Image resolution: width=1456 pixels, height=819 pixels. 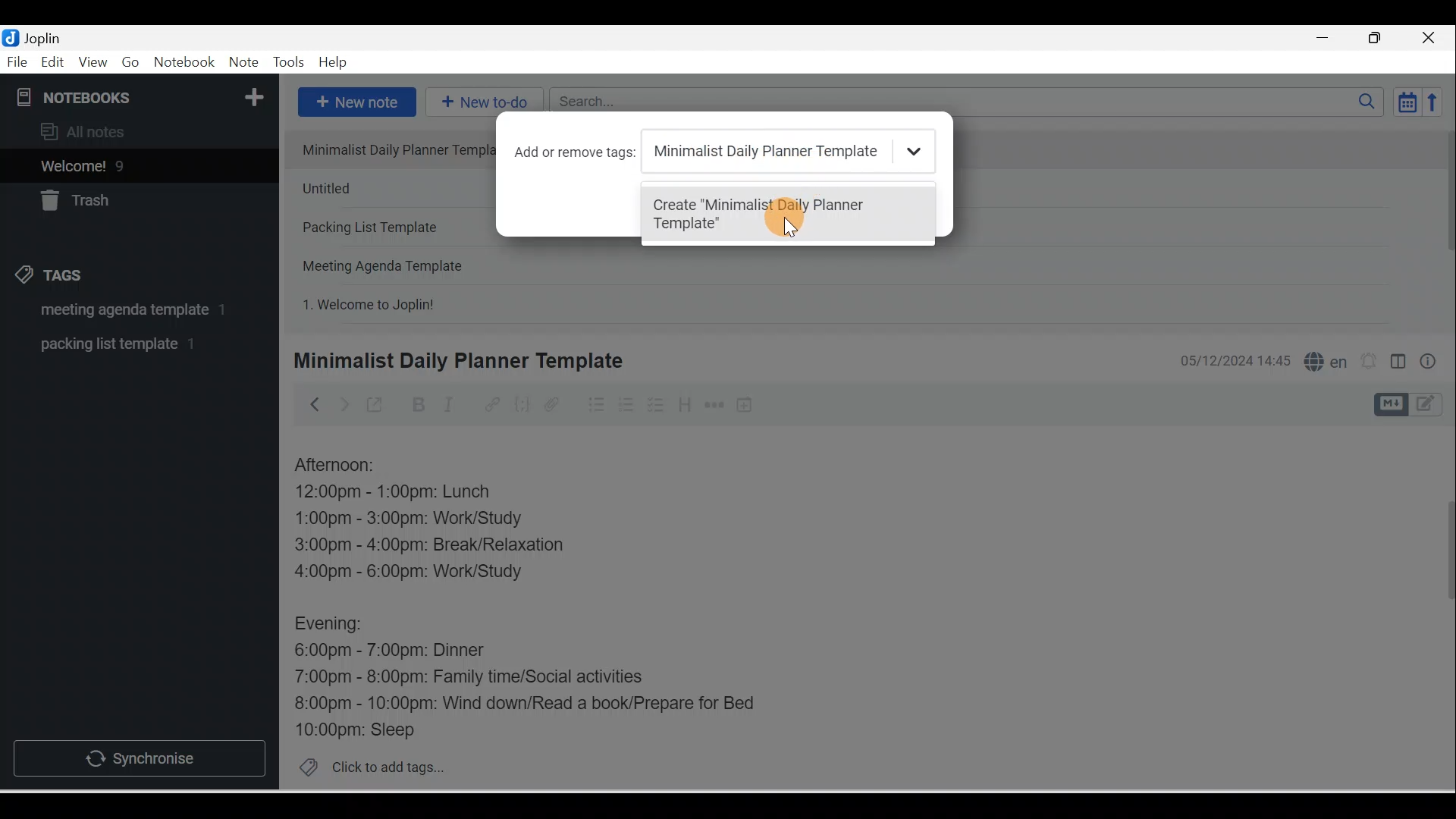 I want to click on Tools, so click(x=288, y=62).